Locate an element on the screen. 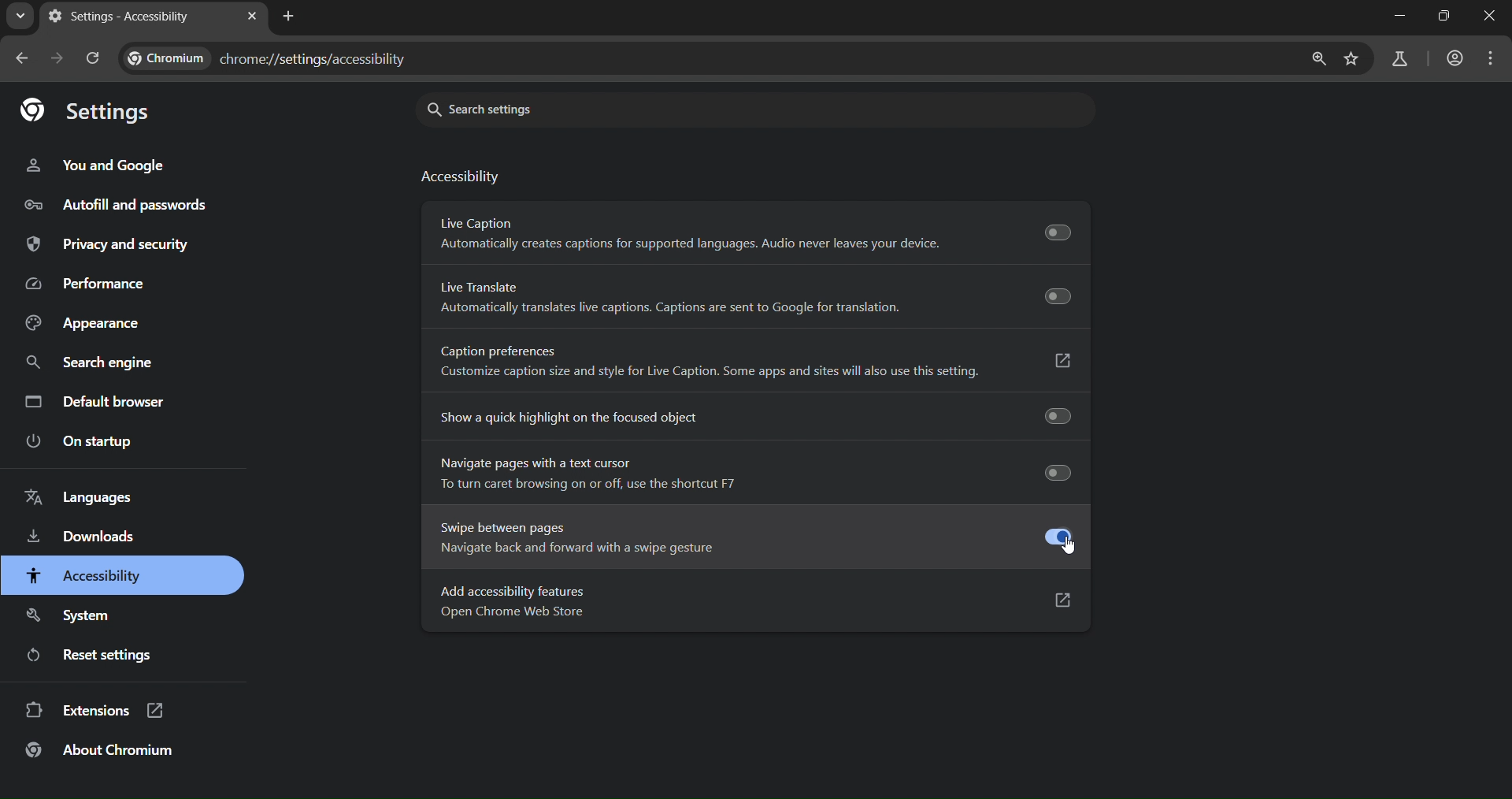 Image resolution: width=1512 pixels, height=799 pixels. close tab is located at coordinates (252, 16).